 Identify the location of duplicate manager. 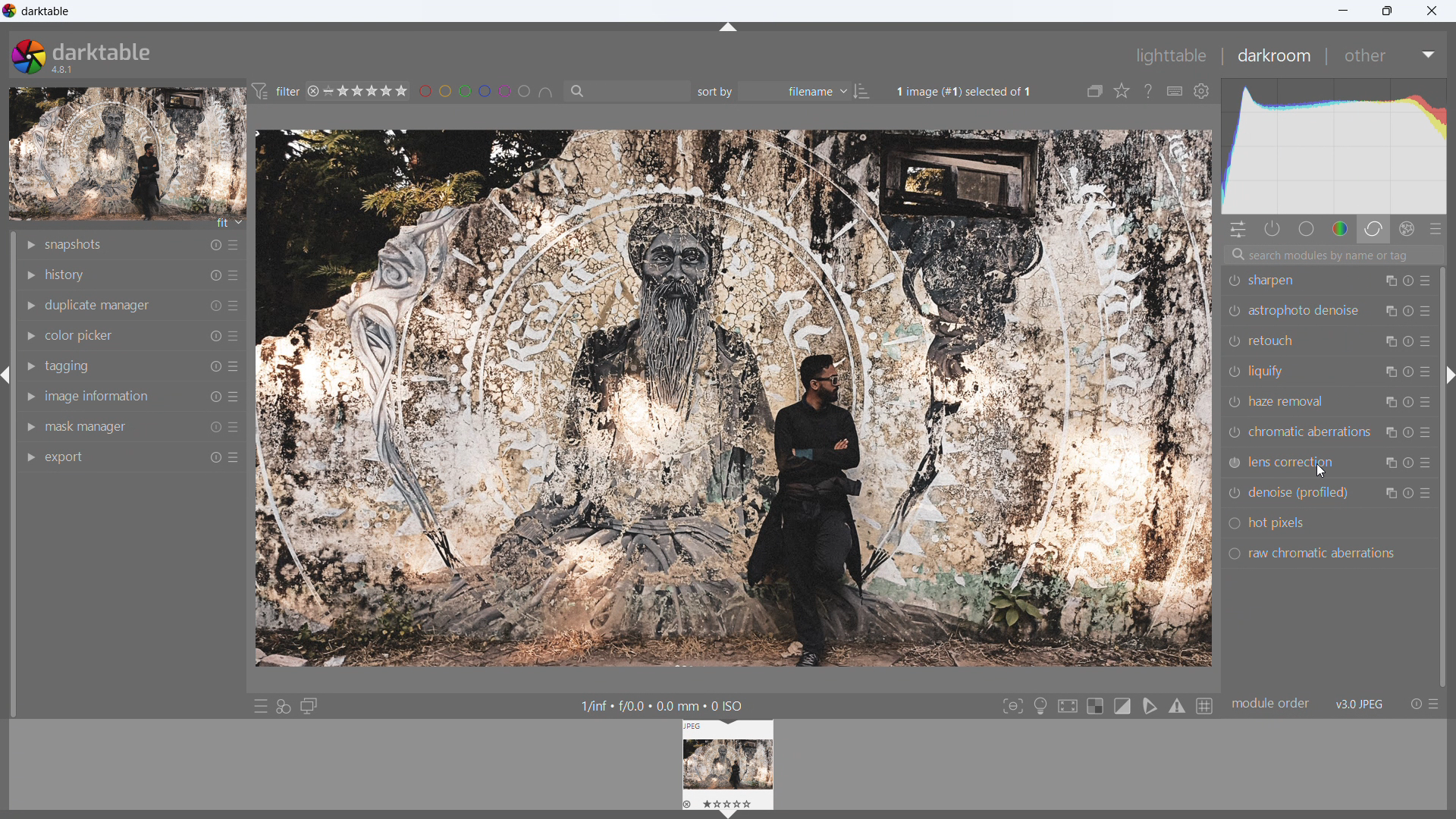
(100, 306).